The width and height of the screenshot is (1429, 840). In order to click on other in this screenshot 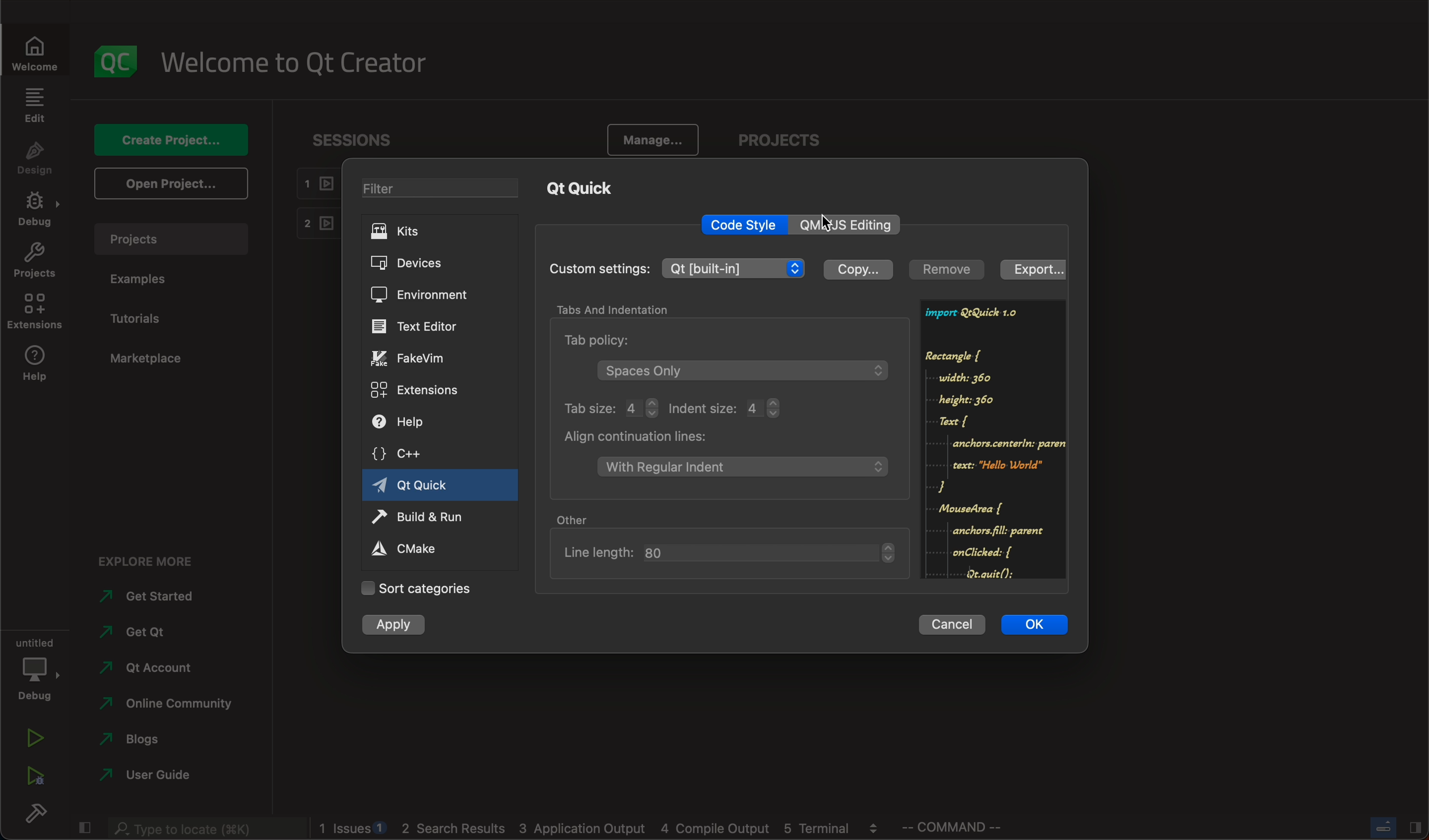, I will do `click(578, 518)`.